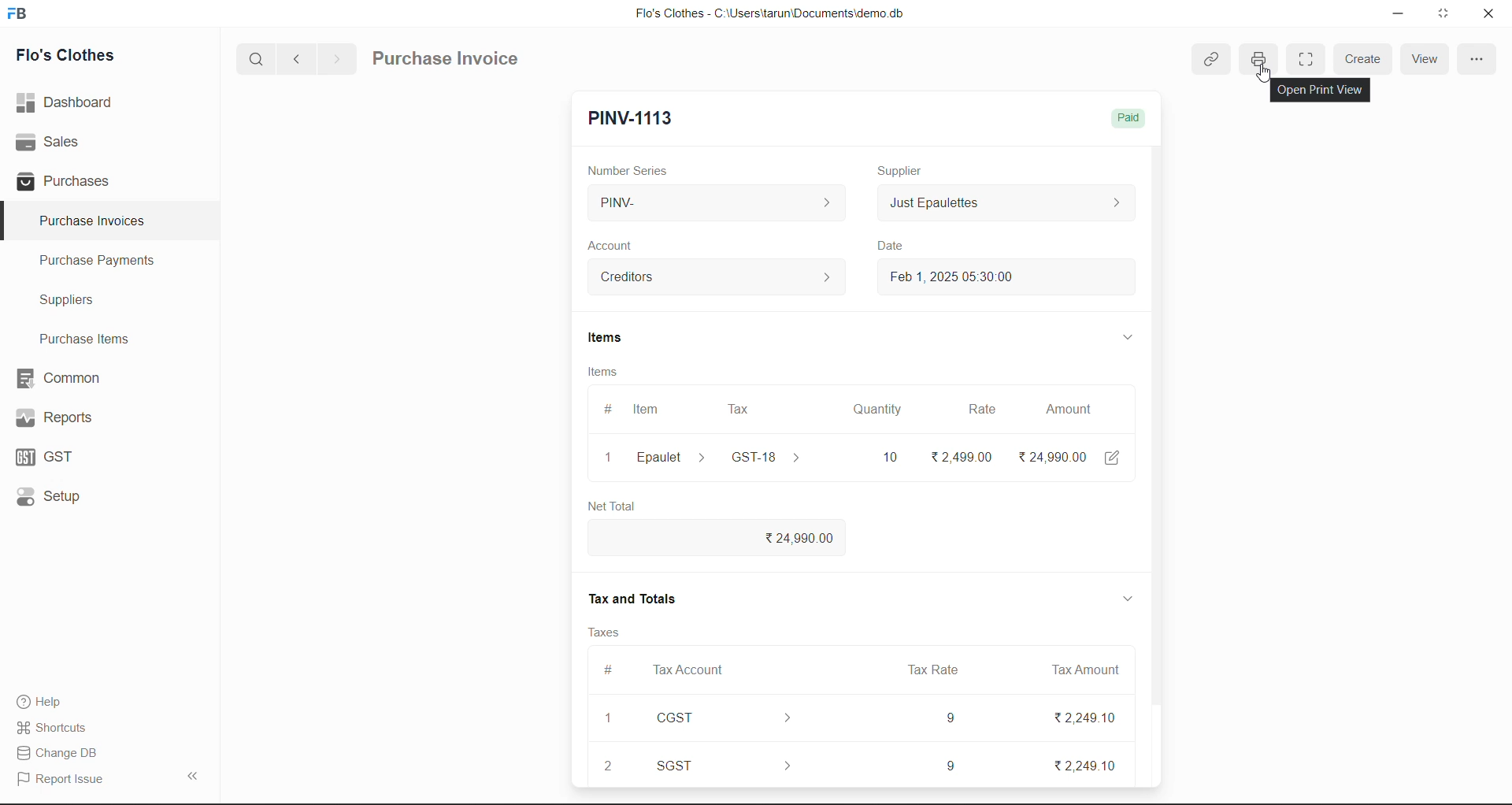 This screenshot has height=805, width=1512. What do you see at coordinates (950, 721) in the screenshot?
I see `9` at bounding box center [950, 721].